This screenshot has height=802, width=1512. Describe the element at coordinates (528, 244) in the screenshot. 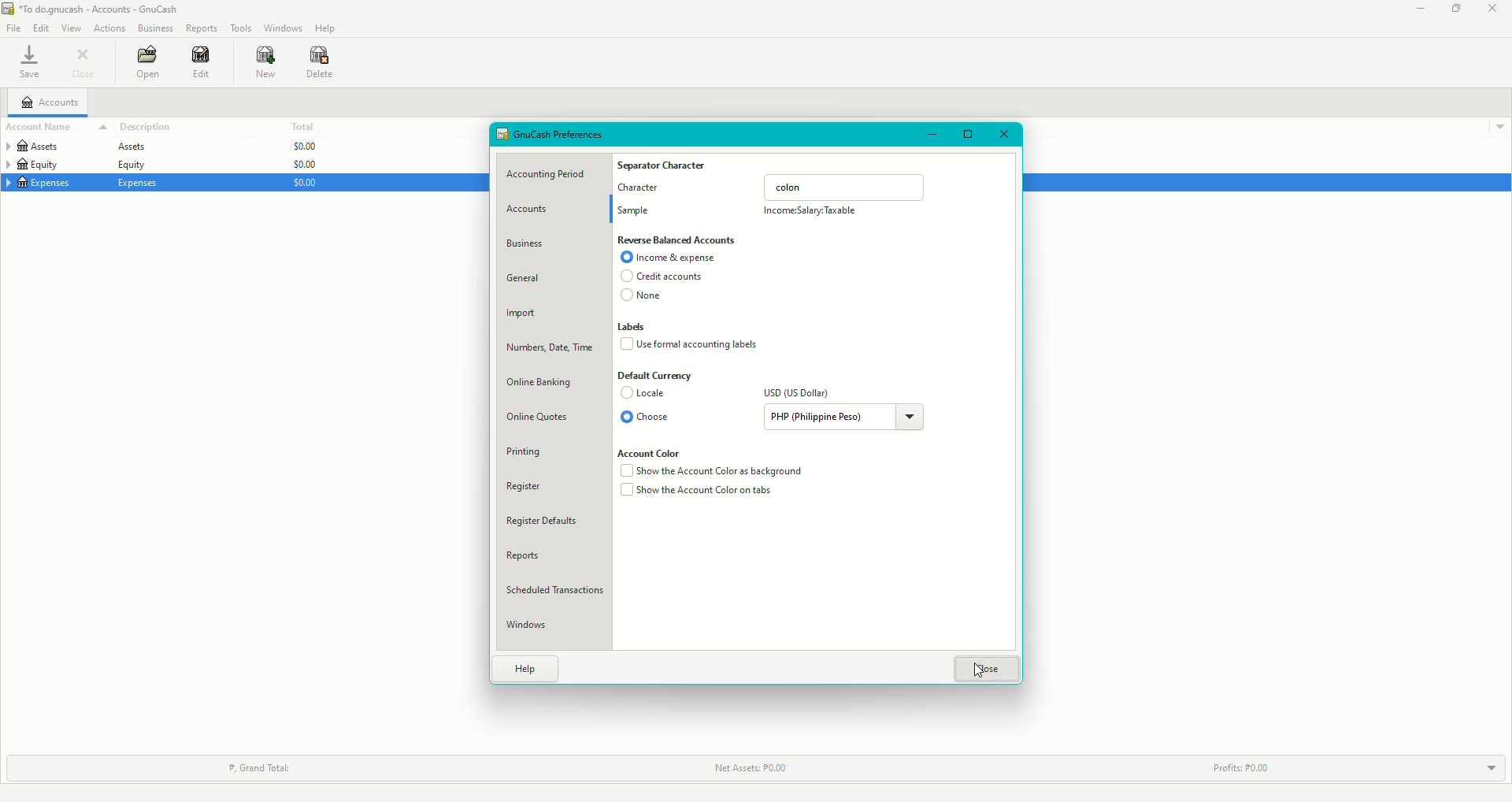

I see `Business` at that location.